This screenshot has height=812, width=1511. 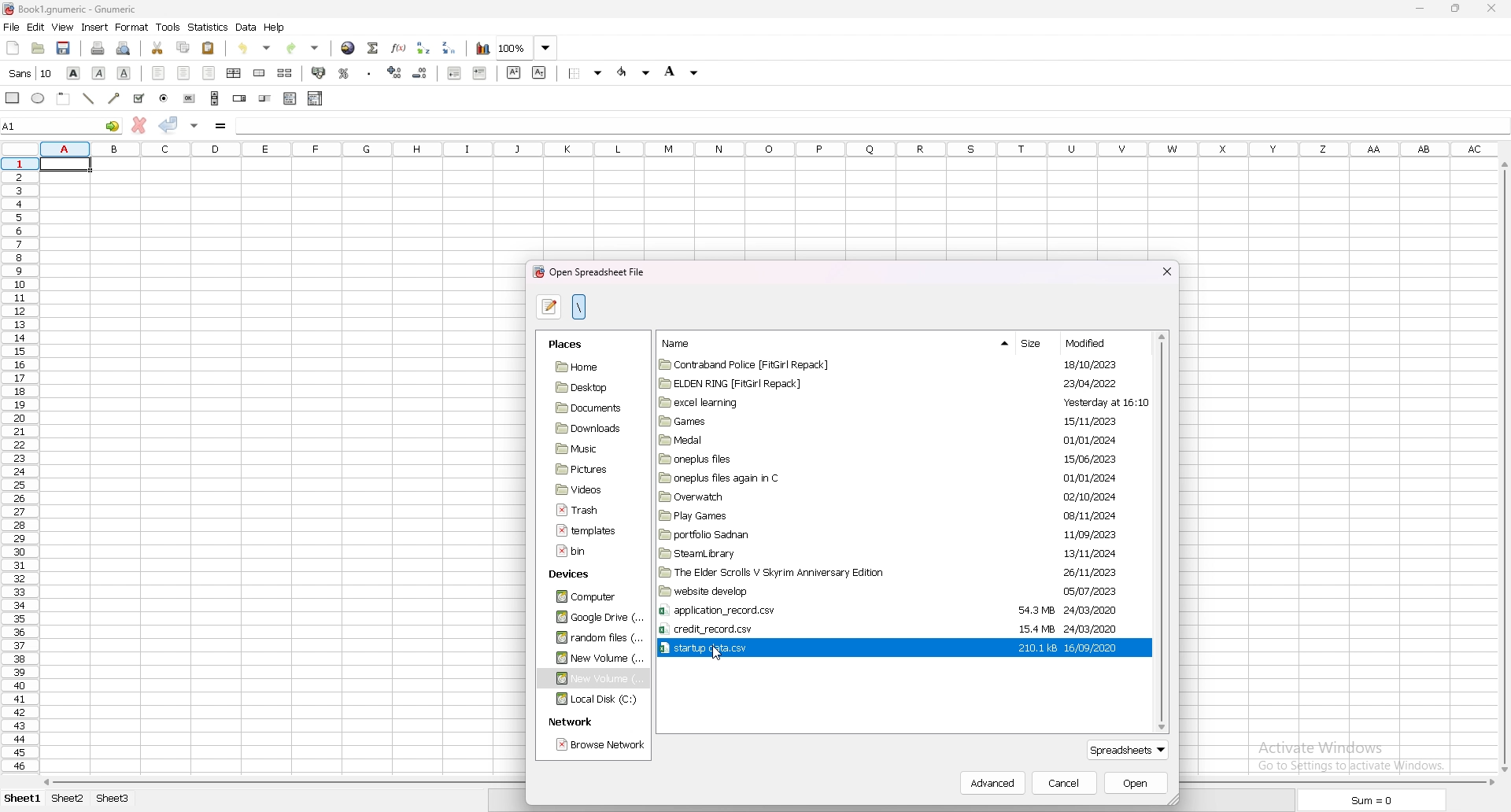 I want to click on superscript, so click(x=514, y=72).